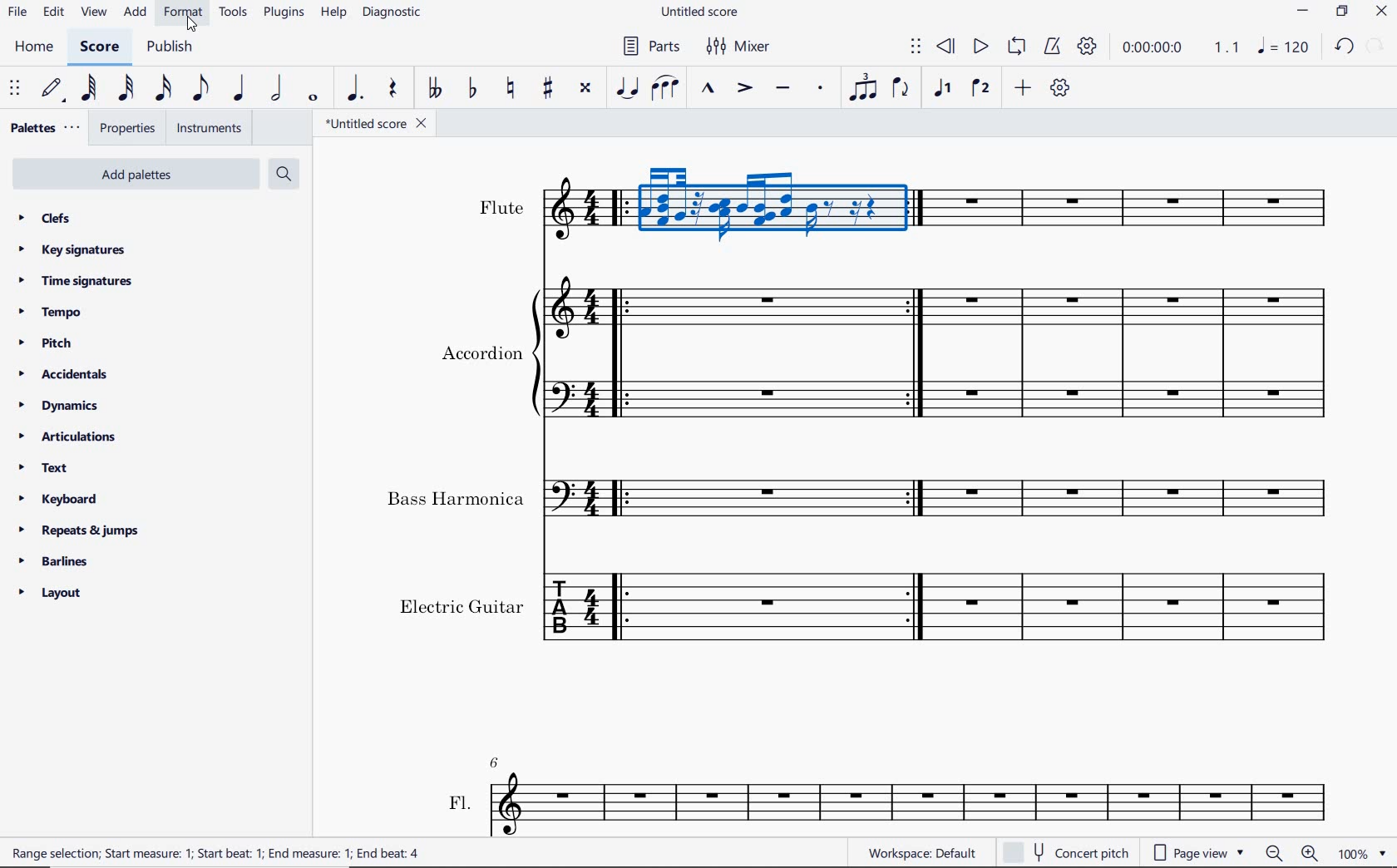 Image resolution: width=1397 pixels, height=868 pixels. What do you see at coordinates (61, 405) in the screenshot?
I see `dynamics` at bounding box center [61, 405].